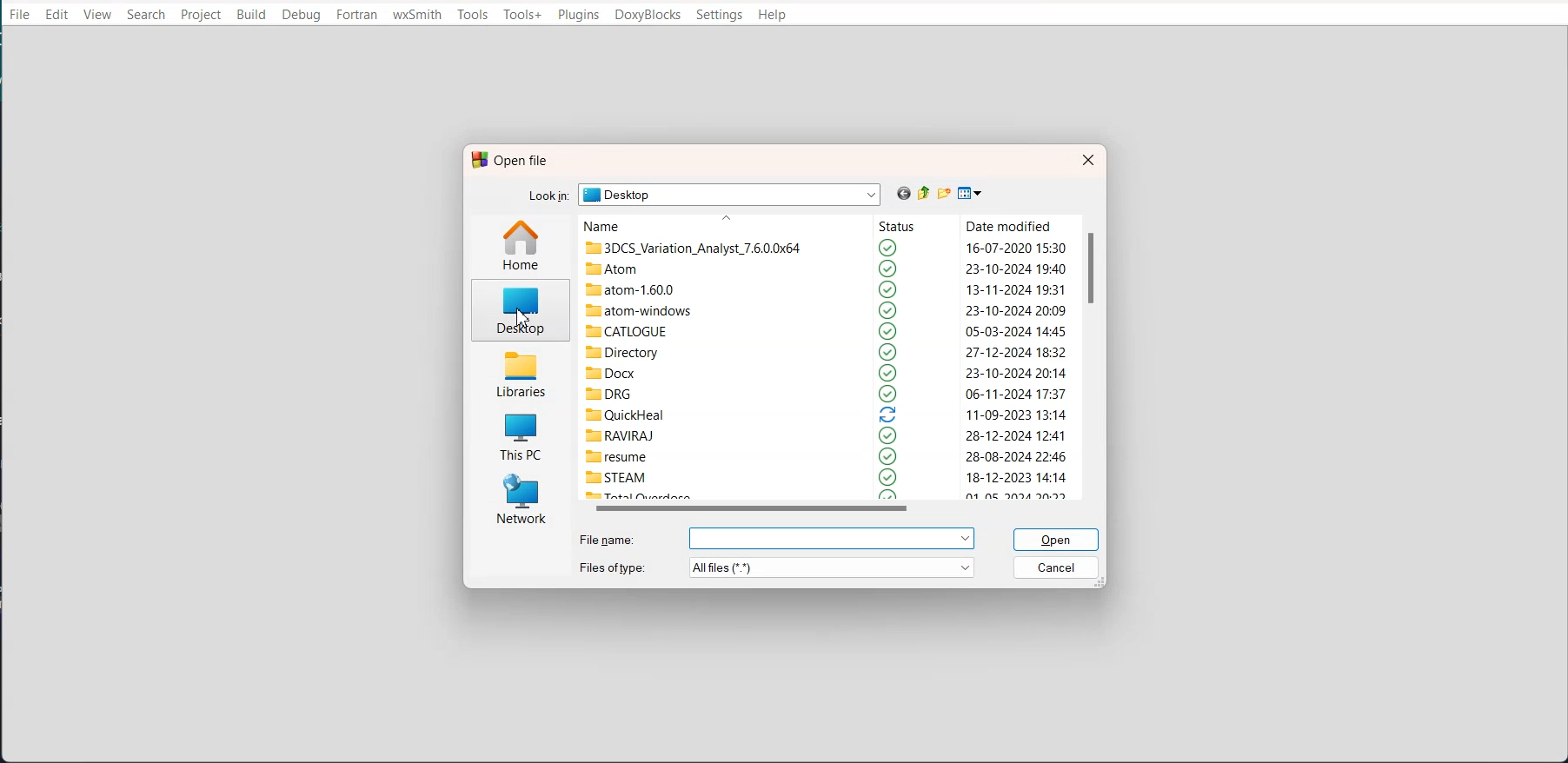 This screenshot has height=763, width=1568. I want to click on go back Previous file, so click(905, 194).